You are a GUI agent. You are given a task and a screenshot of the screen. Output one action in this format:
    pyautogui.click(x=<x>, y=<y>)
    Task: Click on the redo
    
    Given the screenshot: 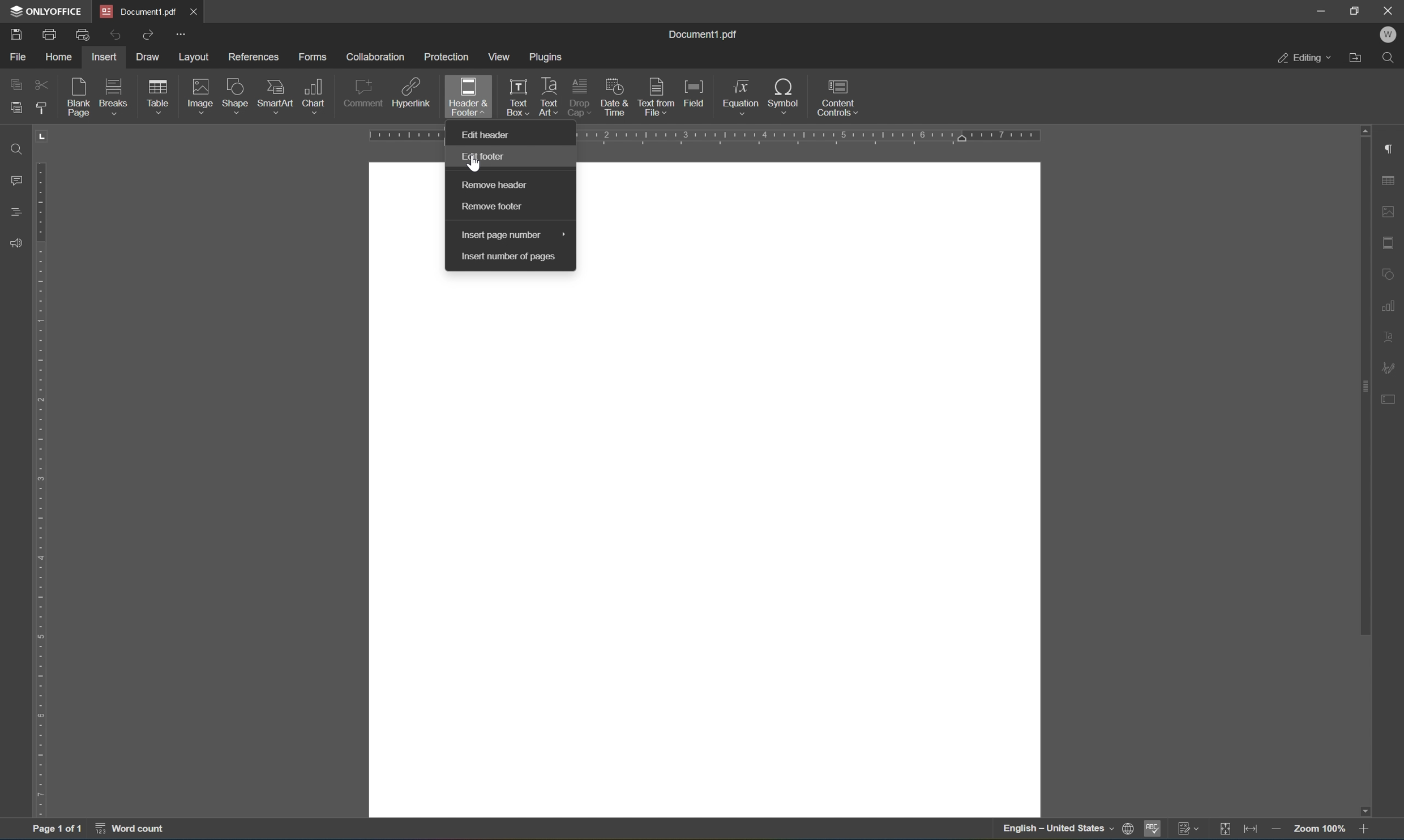 What is the action you would take?
    pyautogui.click(x=149, y=37)
    